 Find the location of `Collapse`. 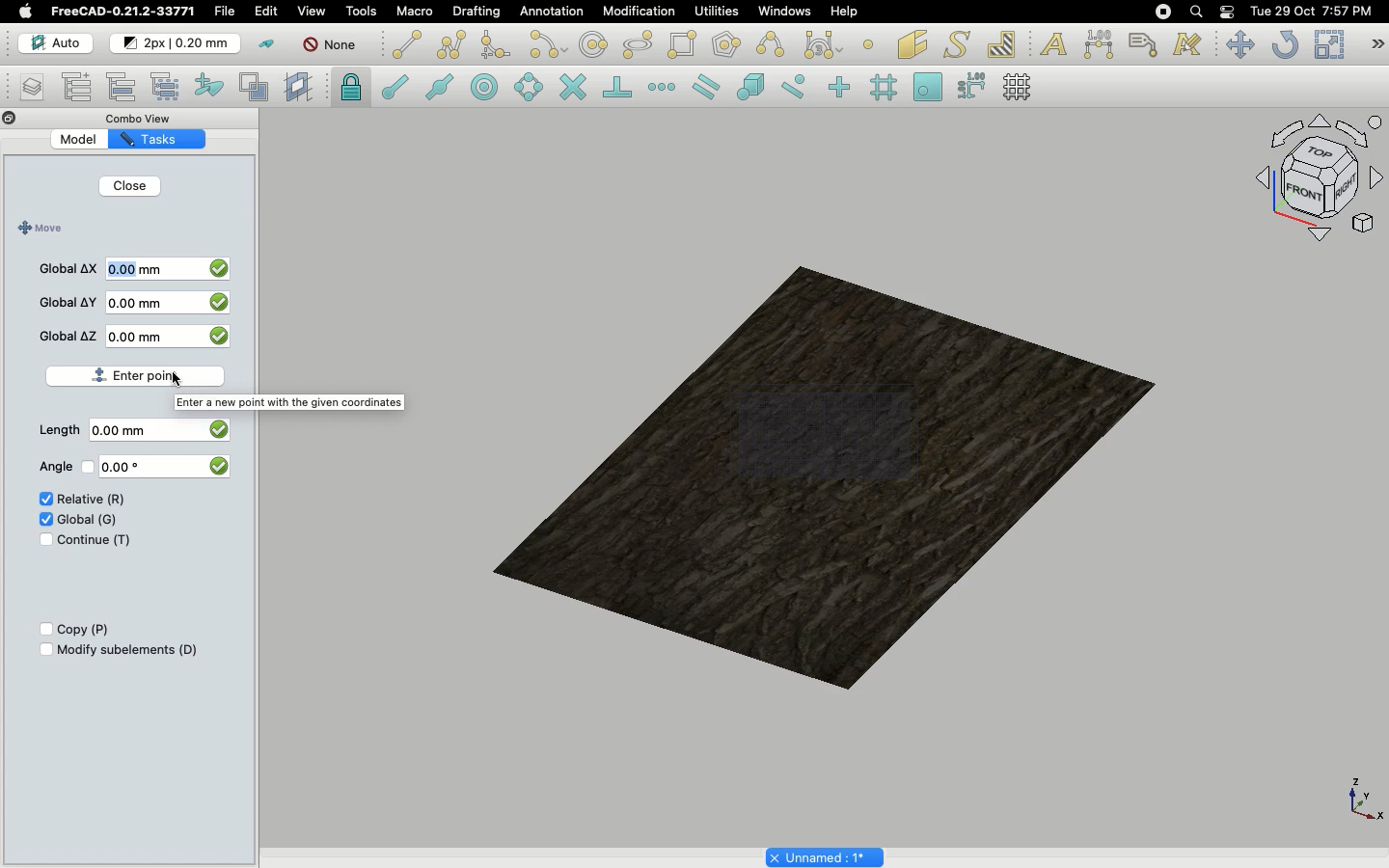

Collapse is located at coordinates (28, 119).